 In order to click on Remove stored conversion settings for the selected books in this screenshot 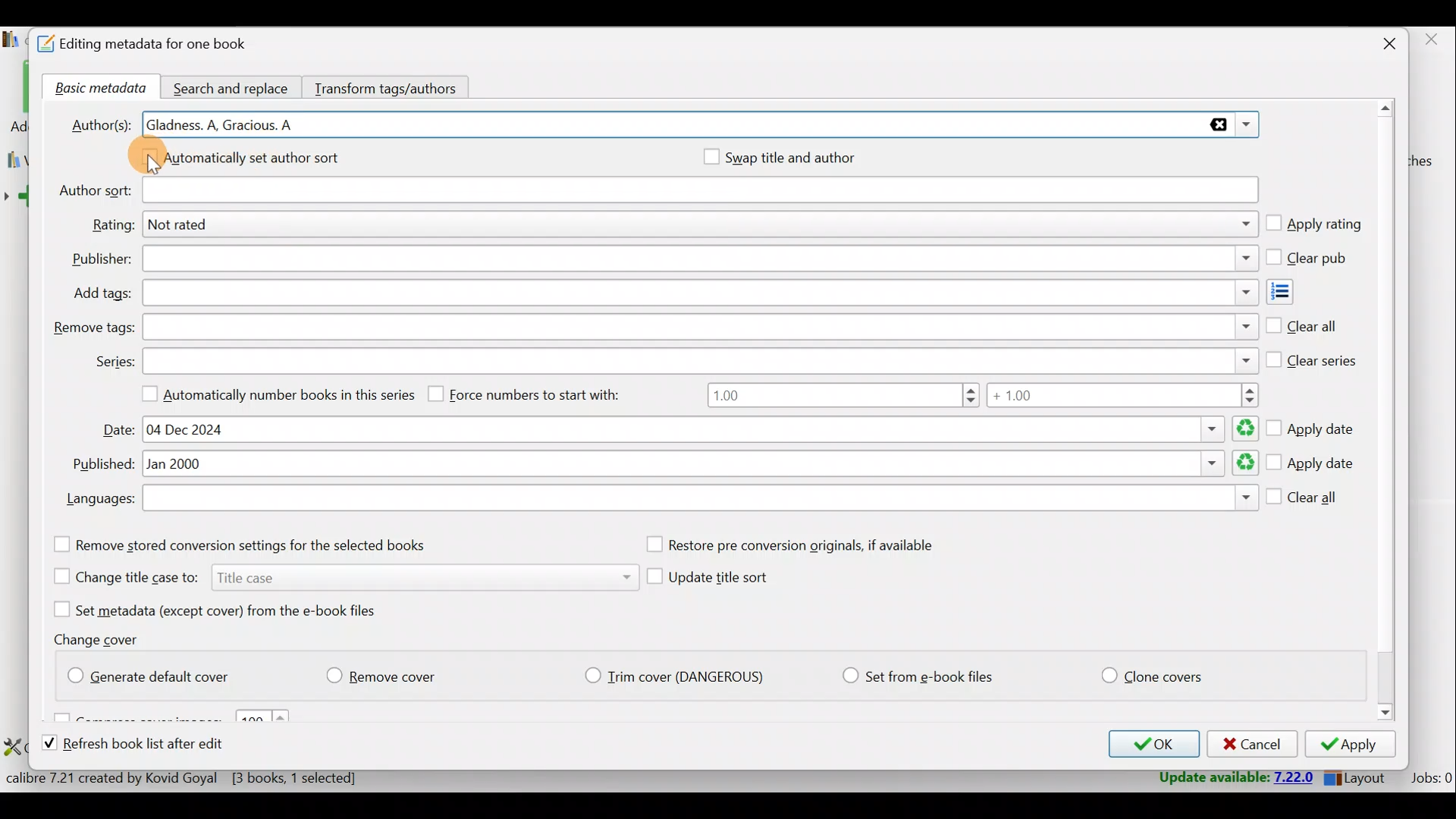, I will do `click(260, 544)`.